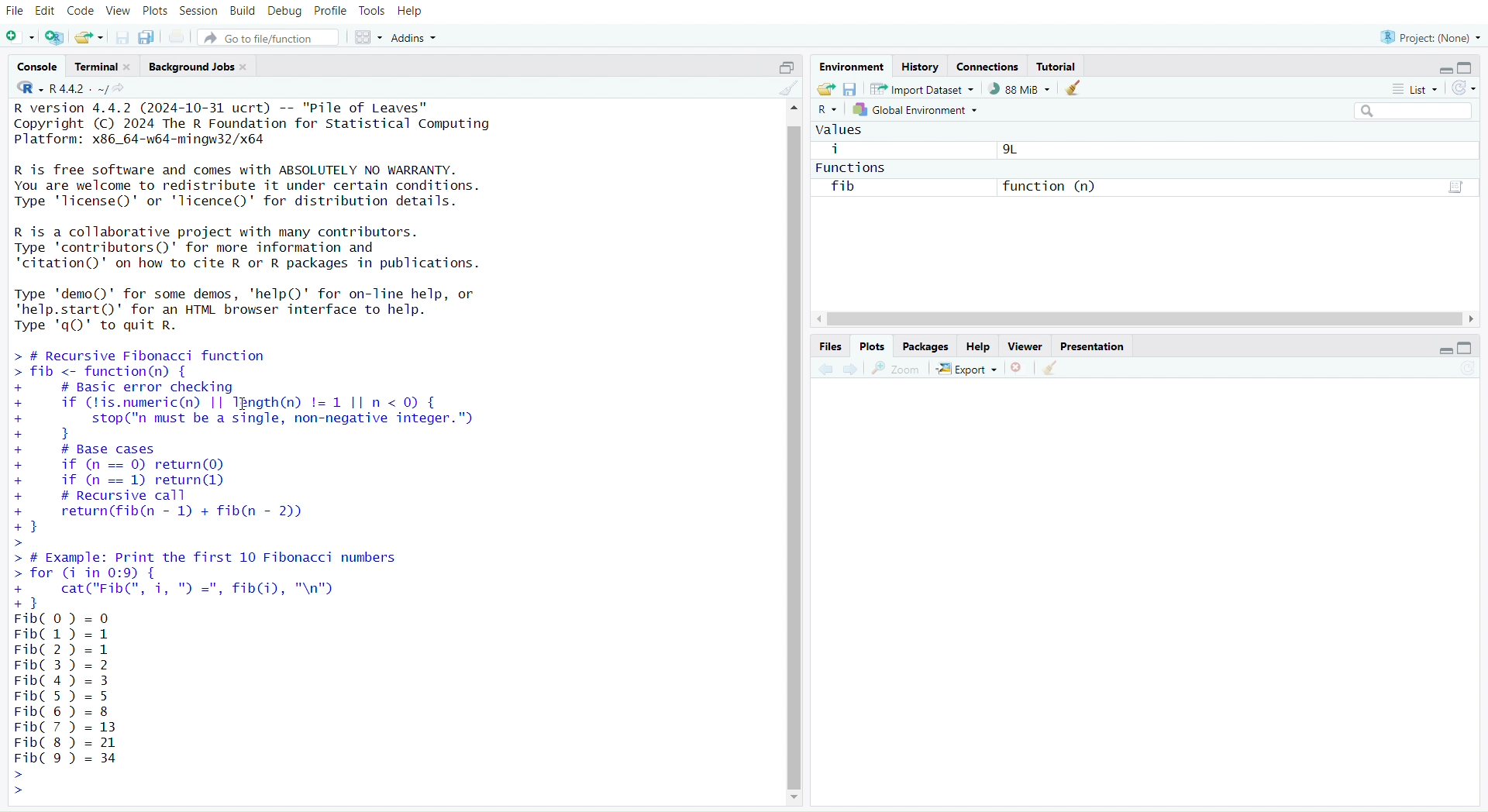 Image resolution: width=1488 pixels, height=812 pixels. I want to click on forward, so click(856, 370).